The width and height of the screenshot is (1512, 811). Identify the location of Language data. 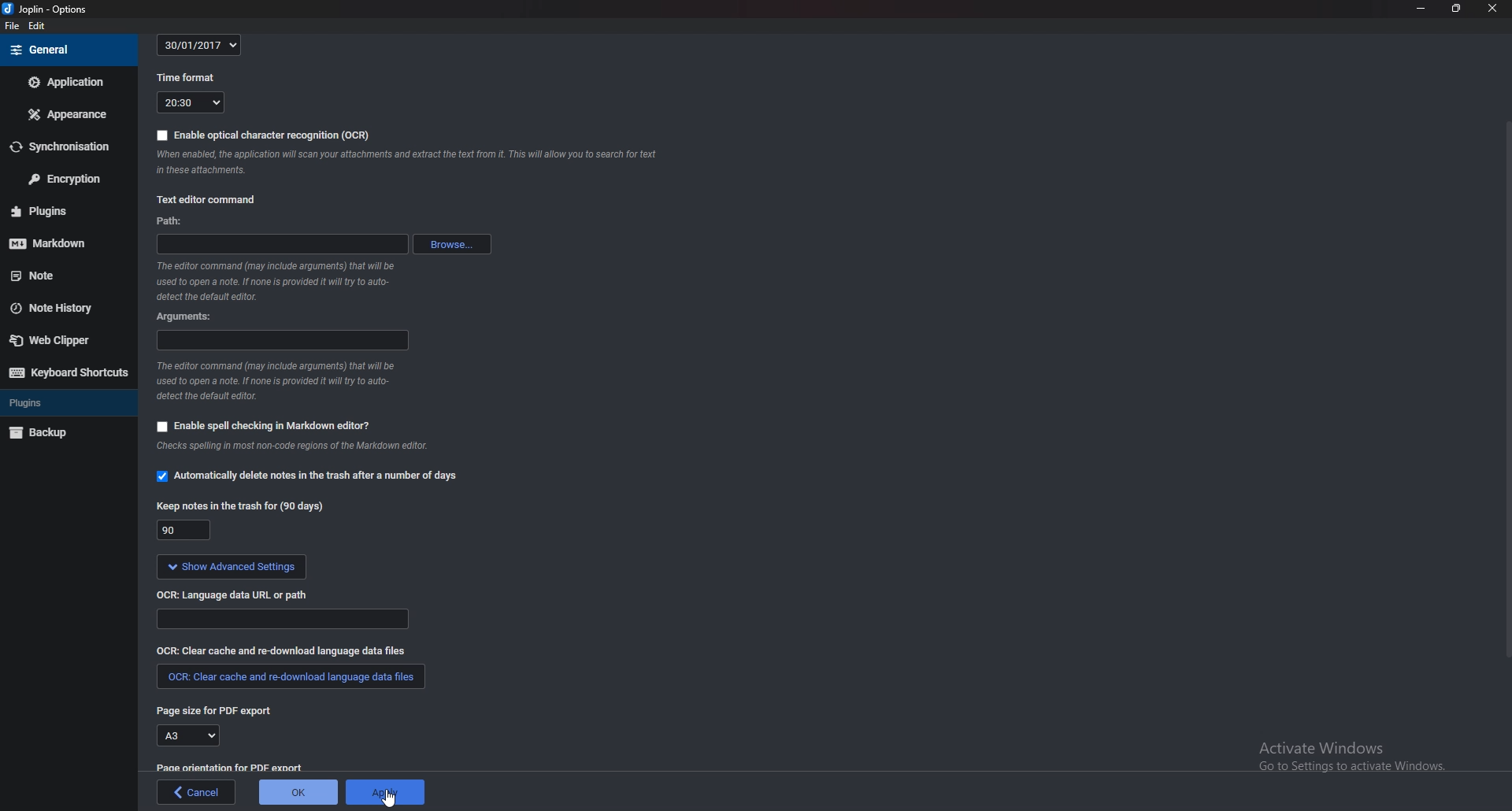
(284, 620).